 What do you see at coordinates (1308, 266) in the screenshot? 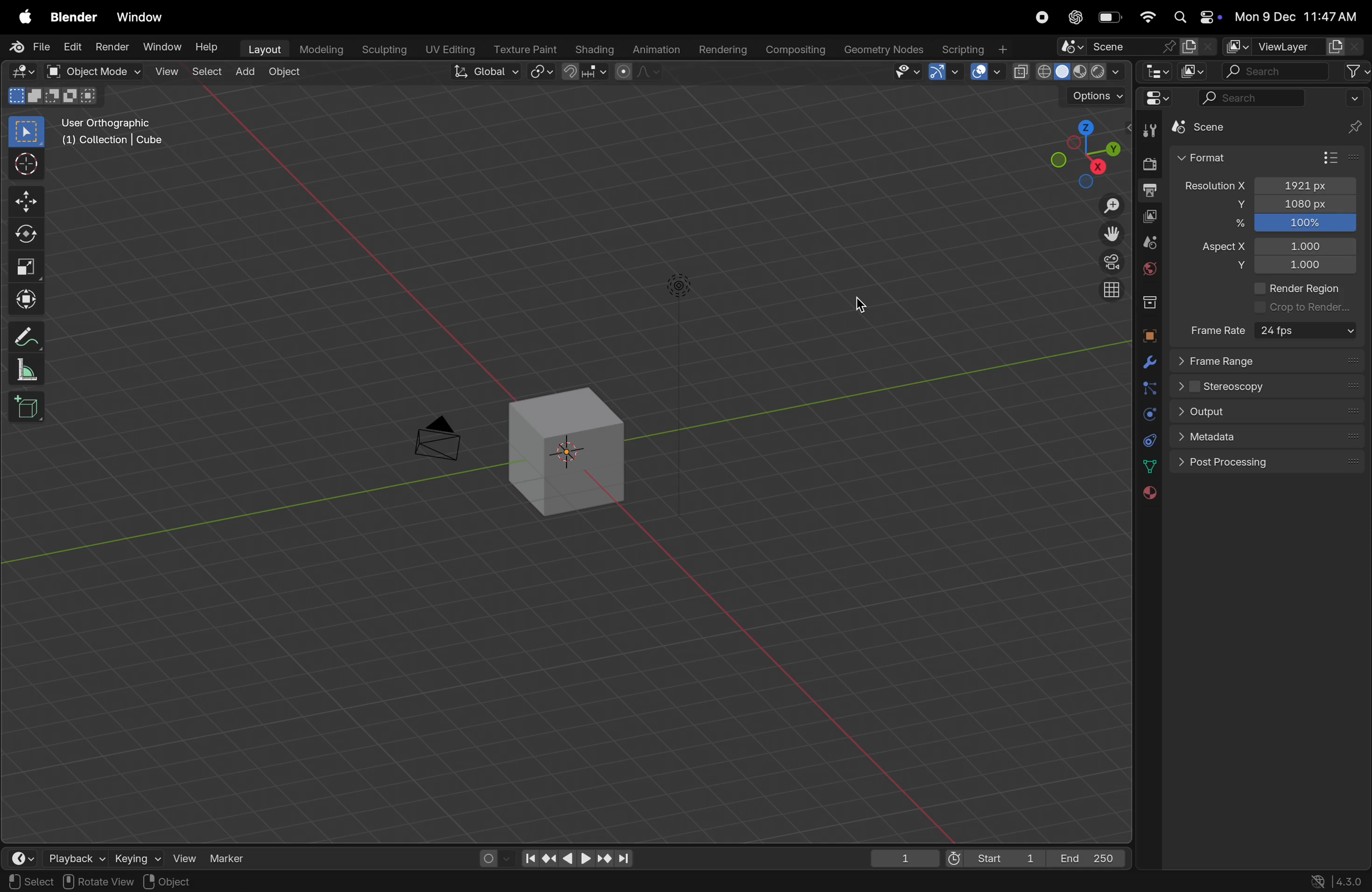
I see `1` at bounding box center [1308, 266].